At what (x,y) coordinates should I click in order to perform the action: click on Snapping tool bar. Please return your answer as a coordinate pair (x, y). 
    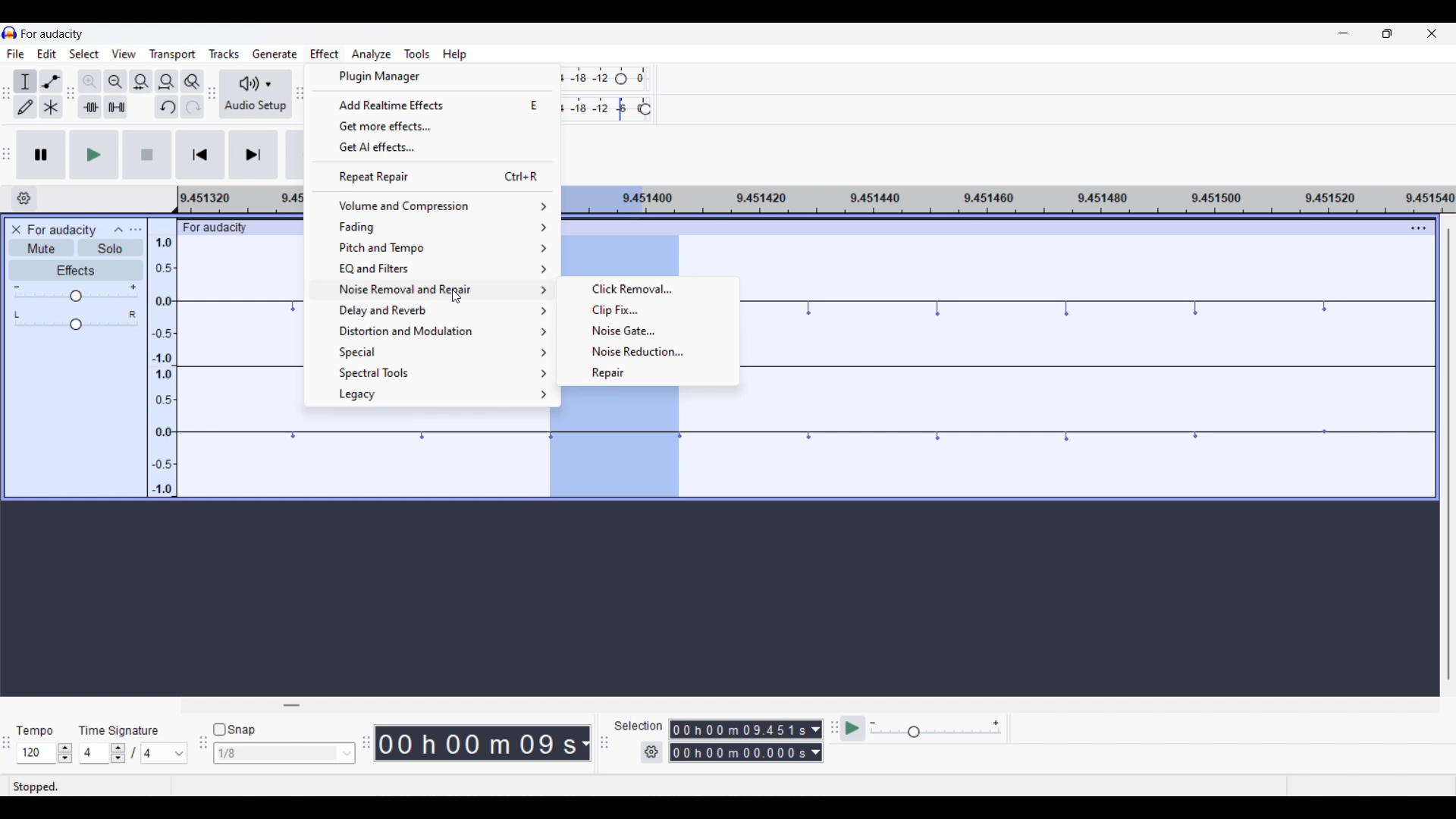
    Looking at the image, I should click on (202, 748).